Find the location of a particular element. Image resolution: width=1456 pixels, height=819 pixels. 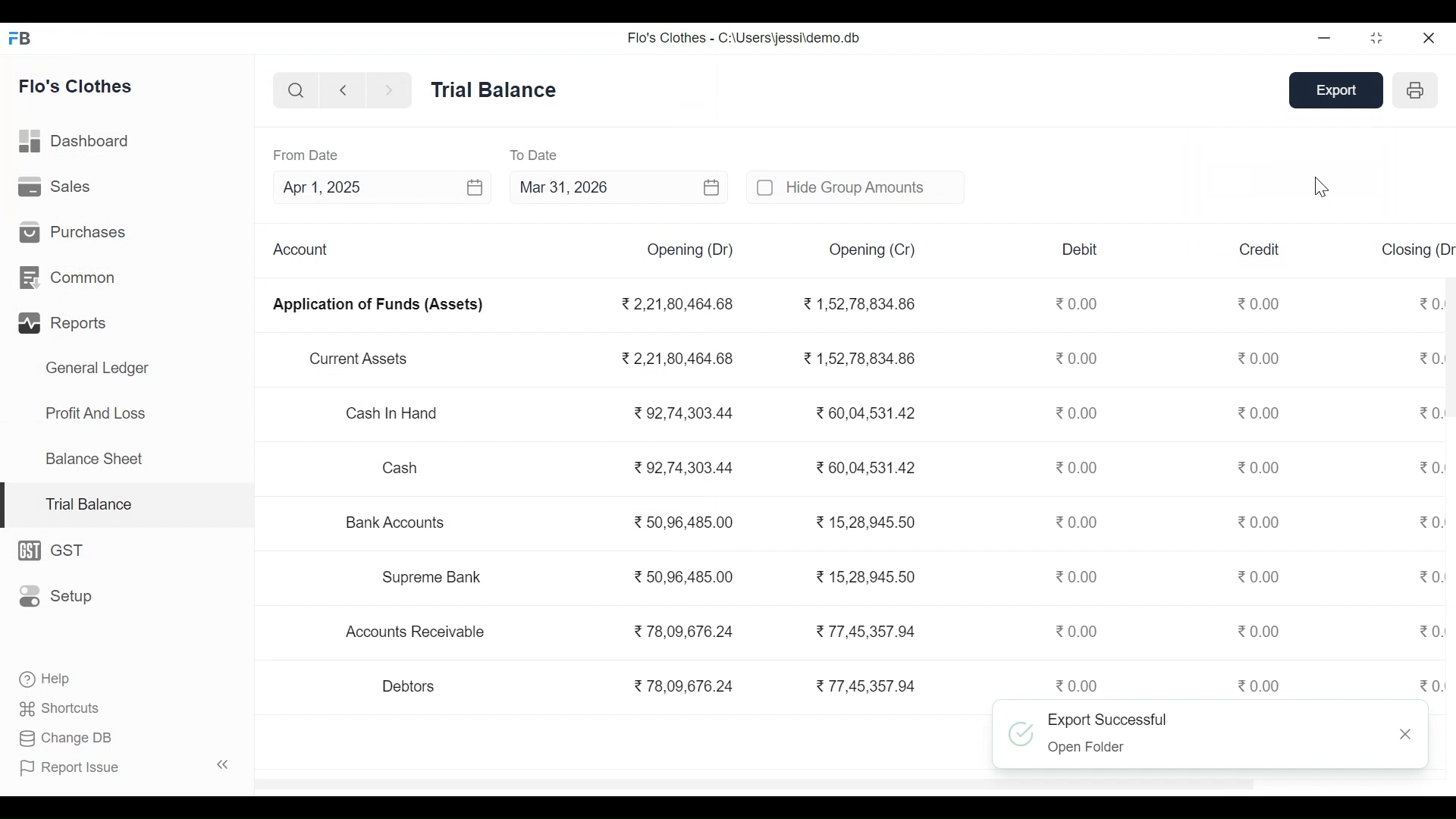

2.21,80,464.68 is located at coordinates (677, 357).